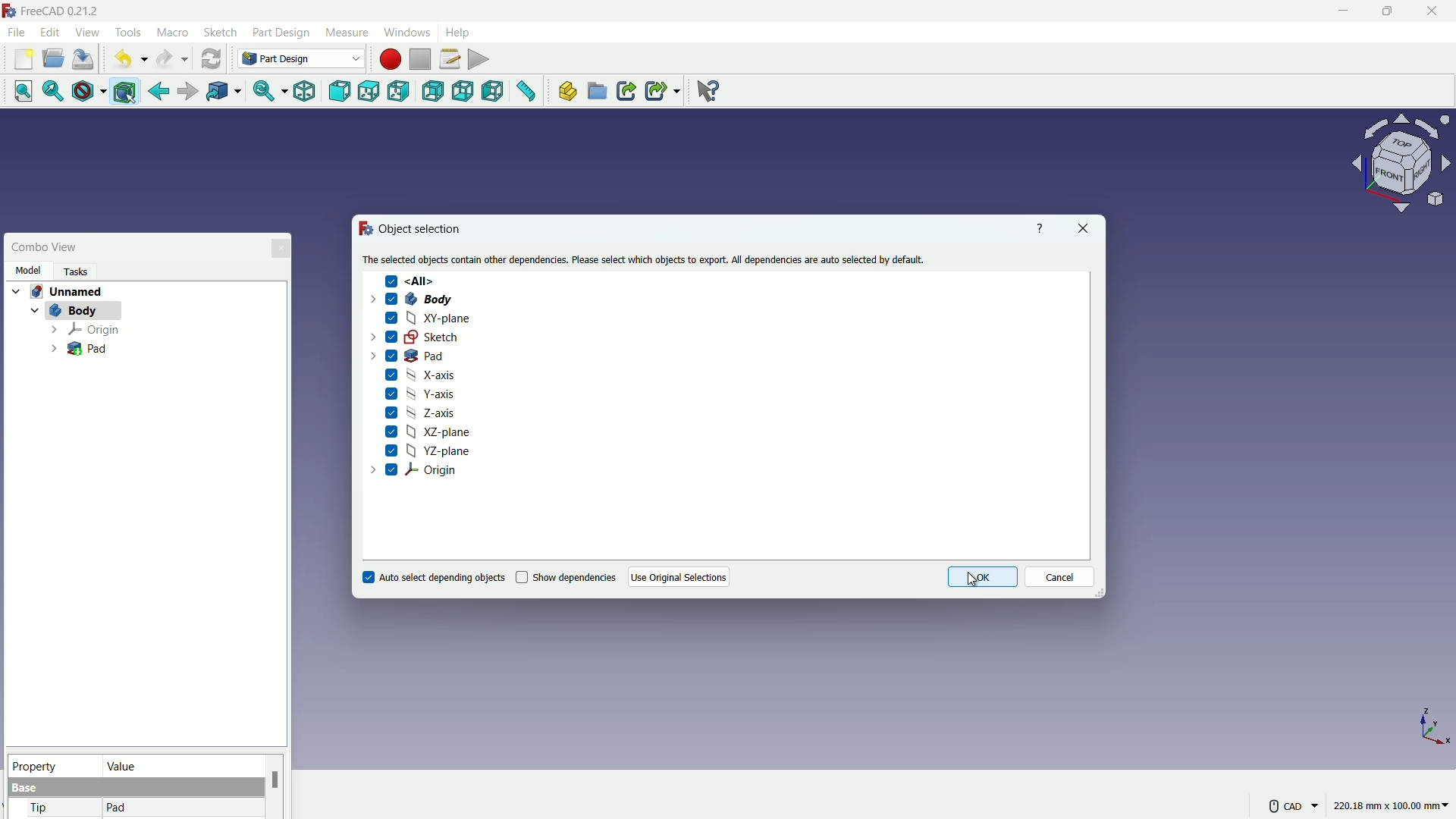  Describe the element at coordinates (127, 60) in the screenshot. I see `undo` at that location.